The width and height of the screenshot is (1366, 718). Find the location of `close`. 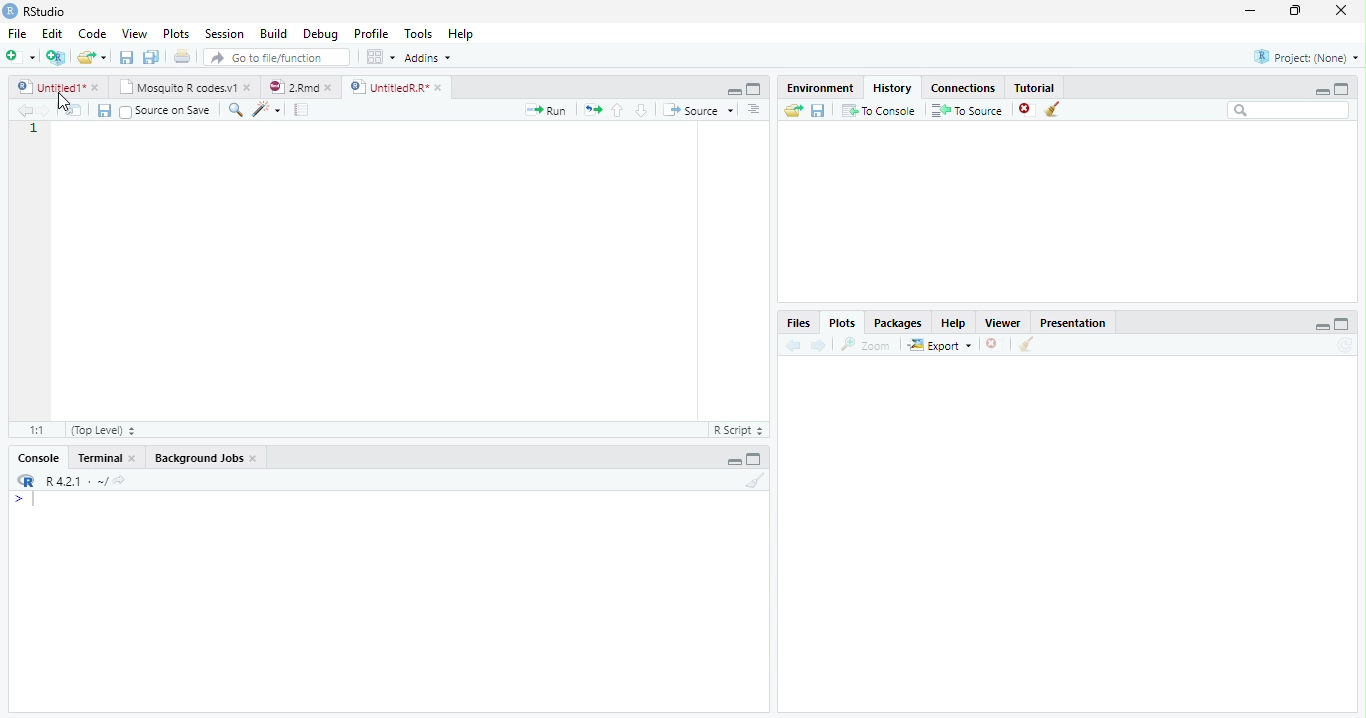

close is located at coordinates (133, 458).